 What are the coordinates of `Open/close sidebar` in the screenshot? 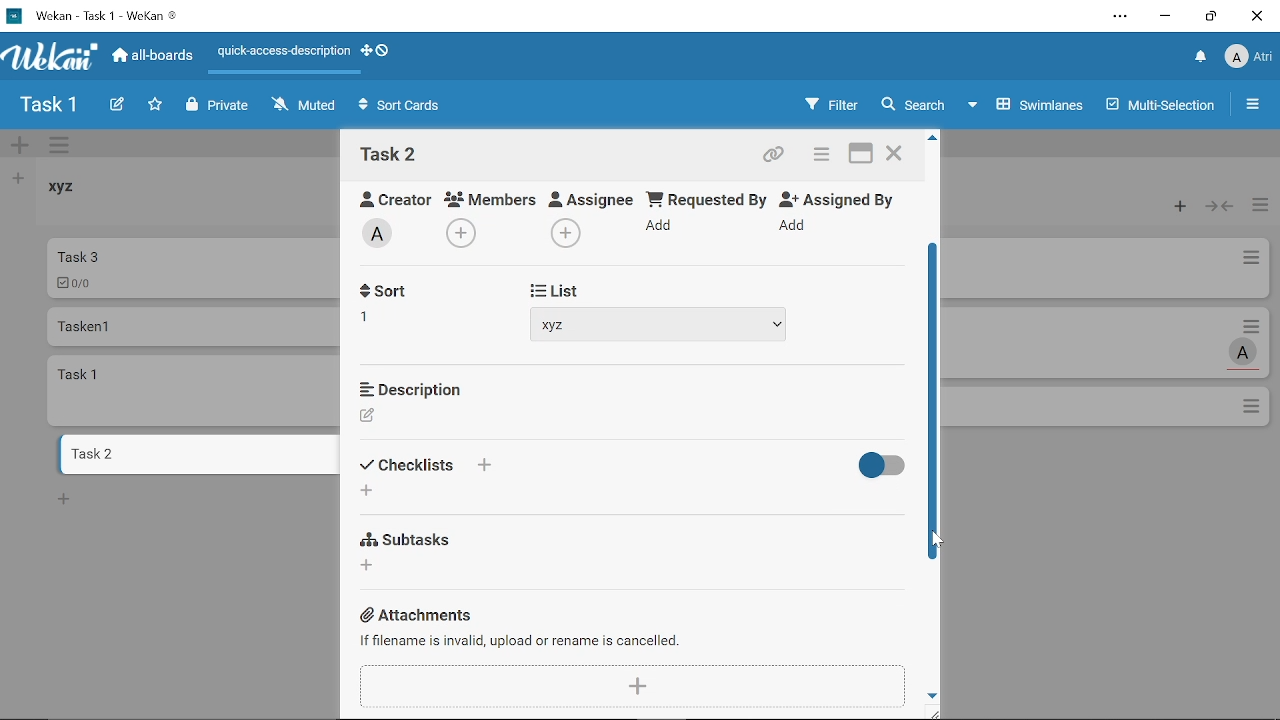 It's located at (1255, 107).